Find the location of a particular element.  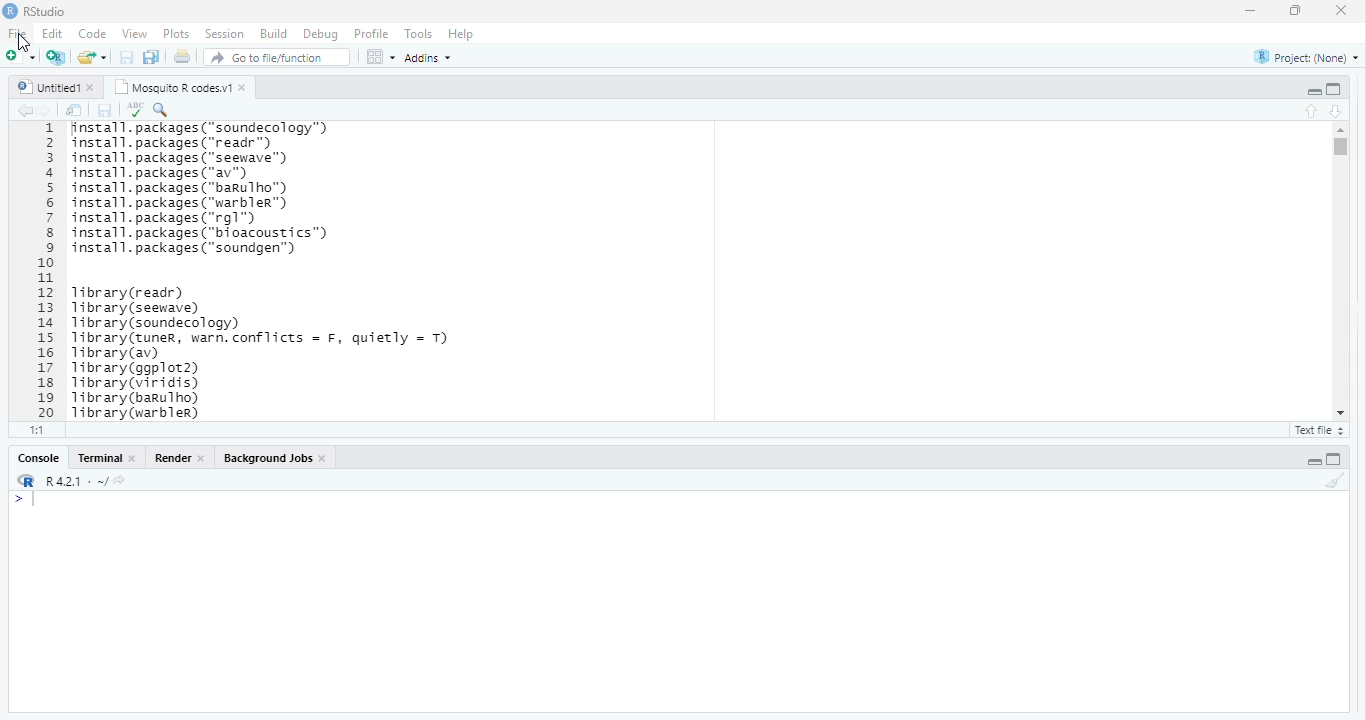

Background Jobs is located at coordinates (269, 458).